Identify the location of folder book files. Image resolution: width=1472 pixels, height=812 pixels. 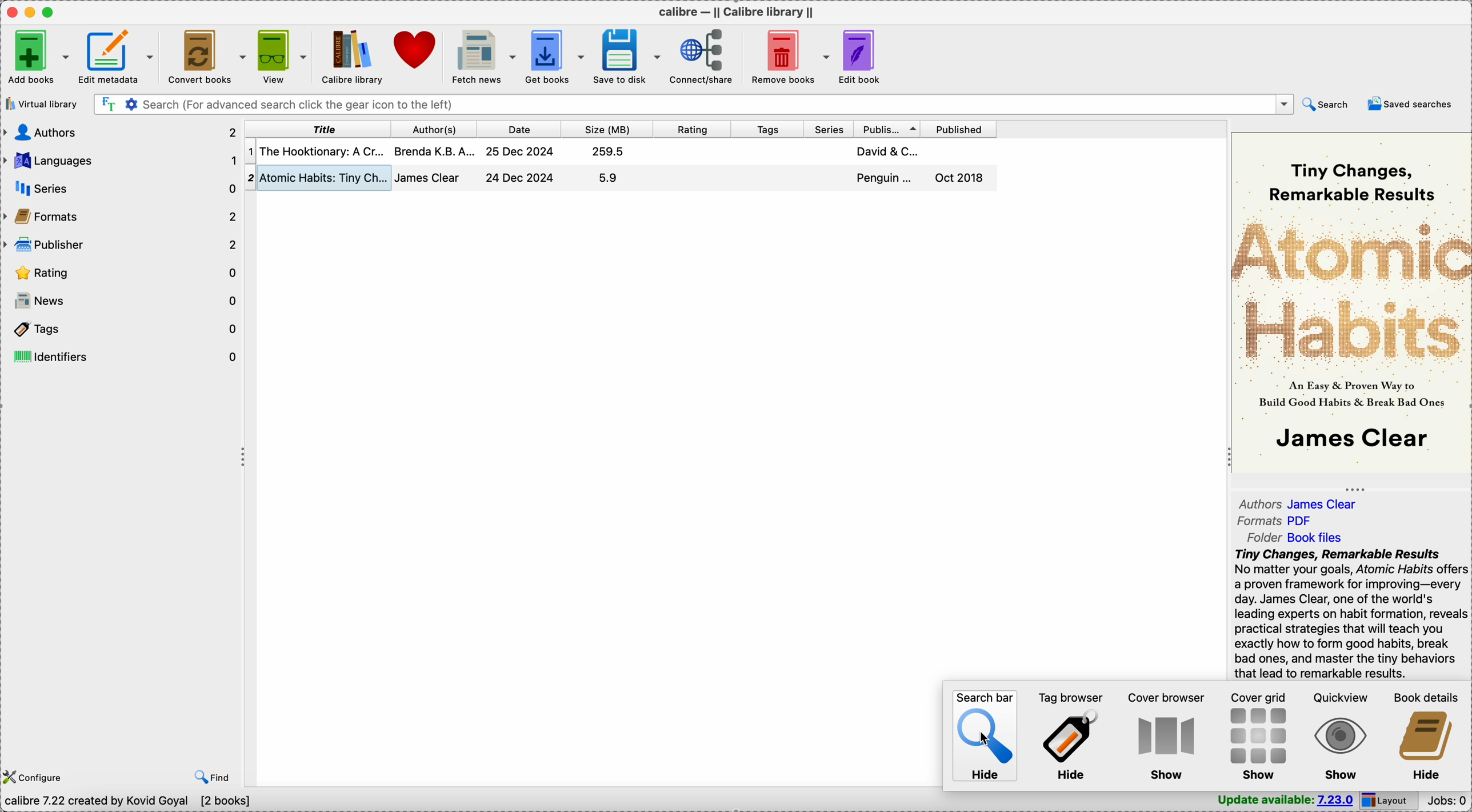
(1295, 538).